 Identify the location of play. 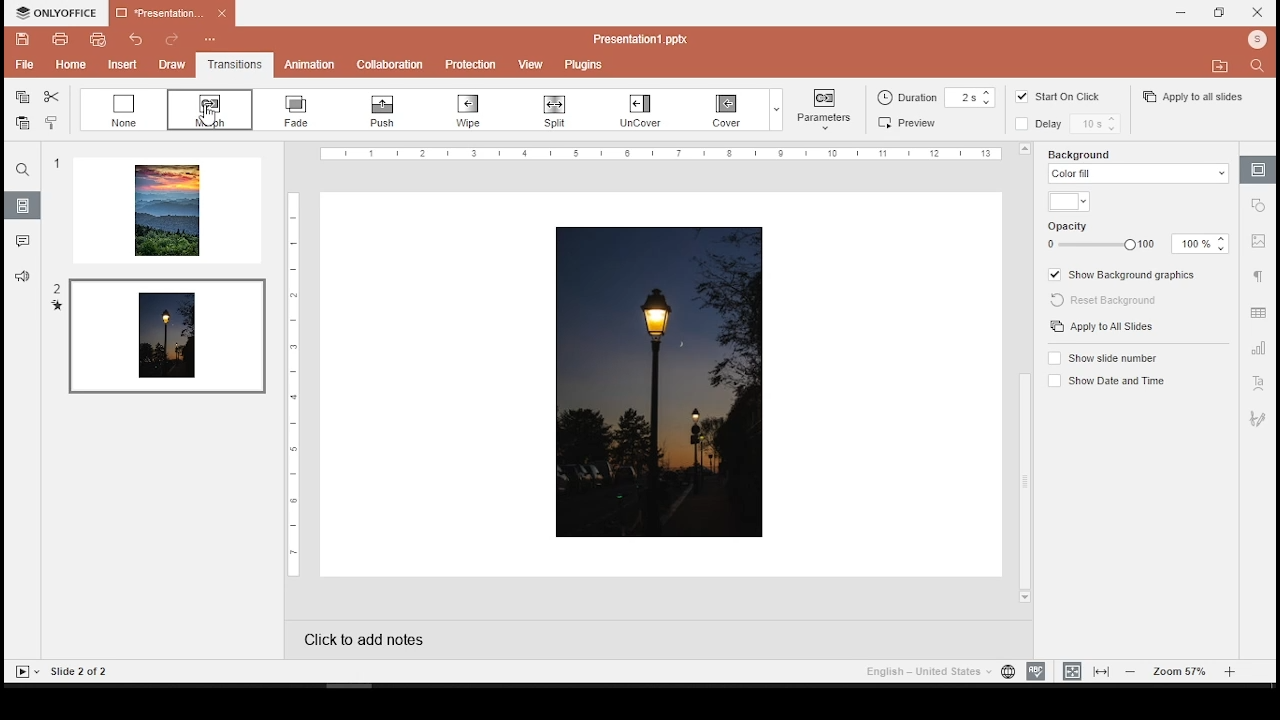
(27, 672).